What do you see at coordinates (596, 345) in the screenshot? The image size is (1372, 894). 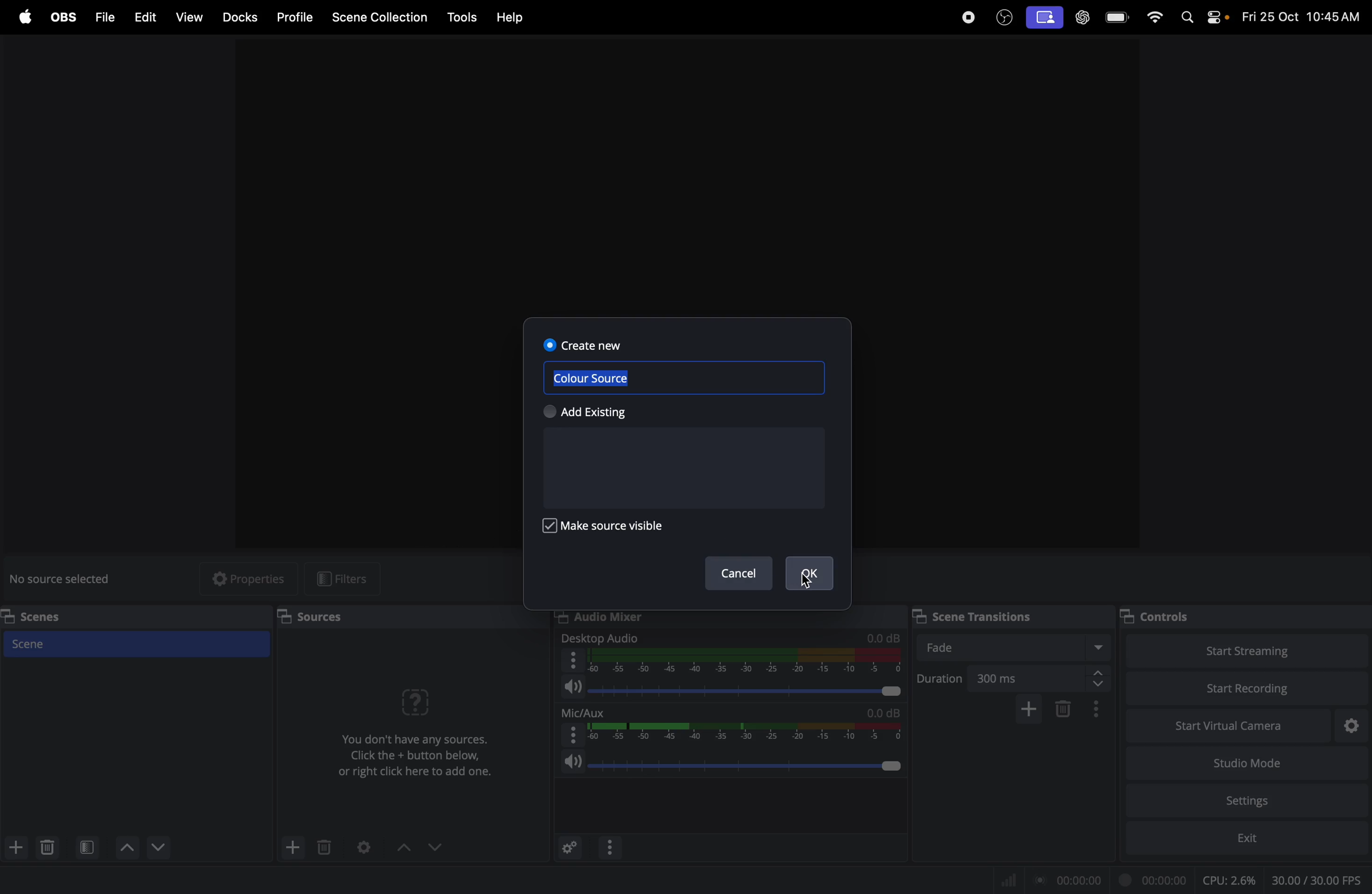 I see `create now` at bounding box center [596, 345].